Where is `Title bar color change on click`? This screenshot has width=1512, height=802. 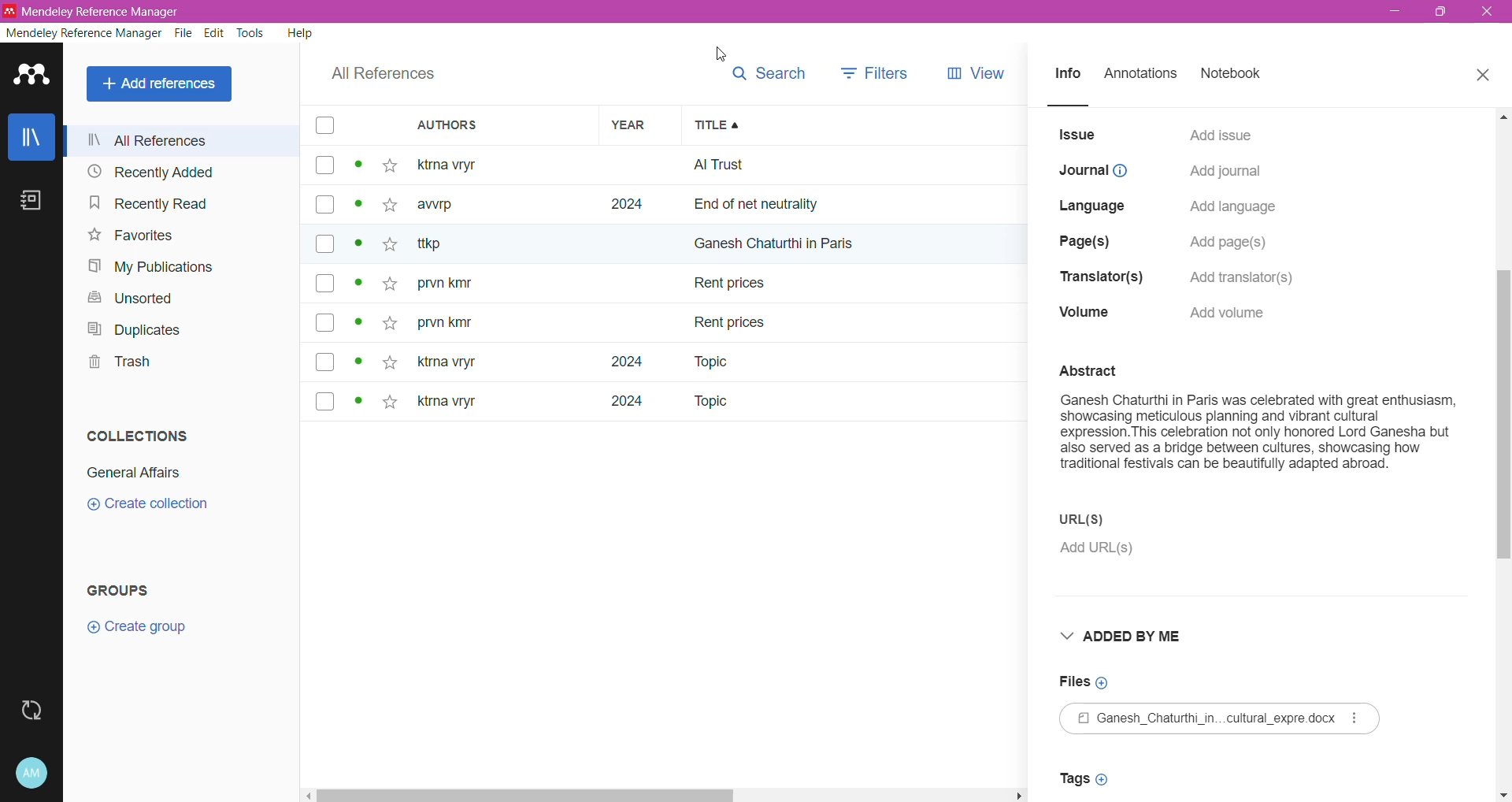
Title bar color change on click is located at coordinates (756, 12).